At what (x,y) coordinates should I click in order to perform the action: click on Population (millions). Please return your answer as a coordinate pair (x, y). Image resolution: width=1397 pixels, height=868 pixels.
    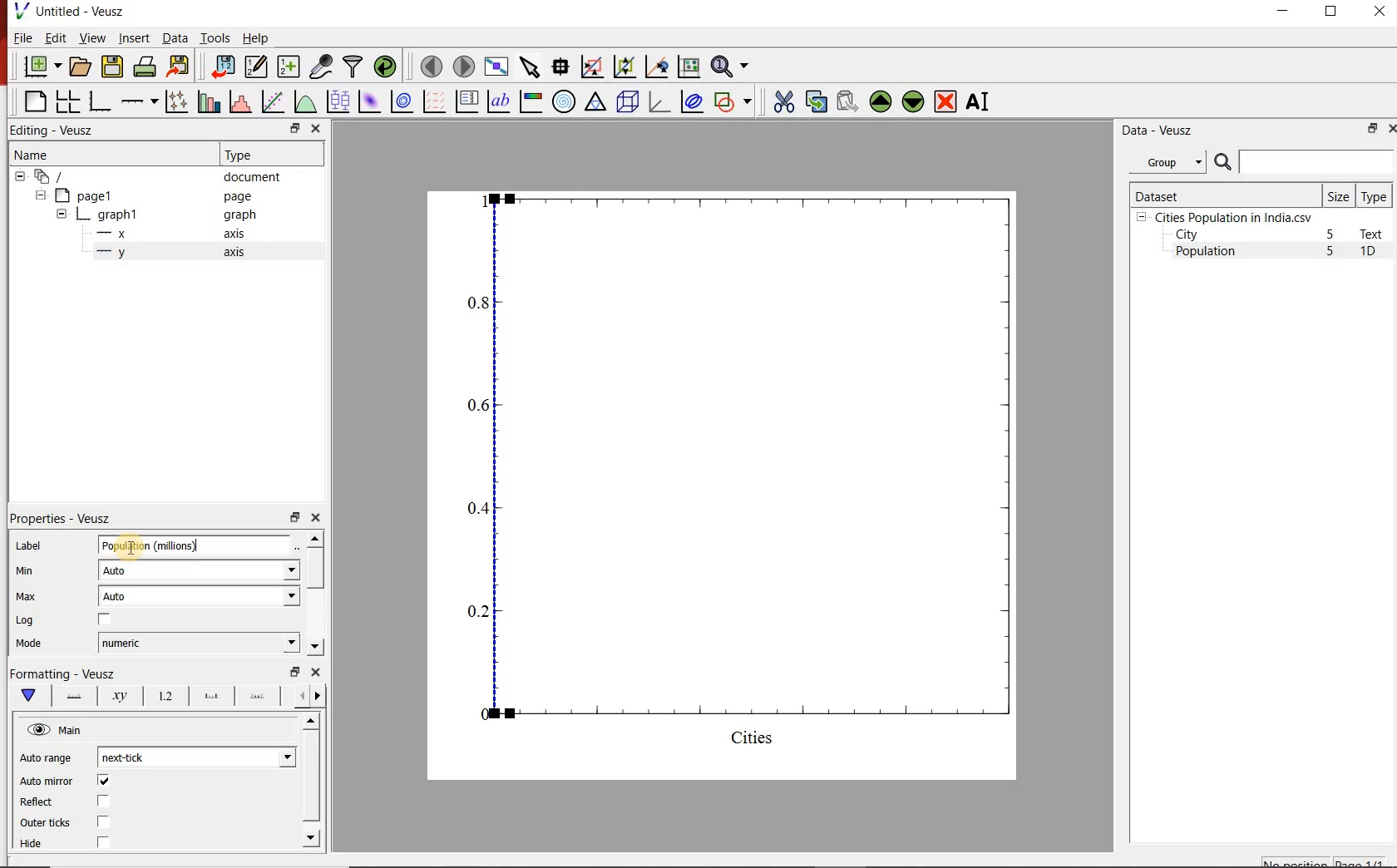
    Looking at the image, I should click on (199, 545).